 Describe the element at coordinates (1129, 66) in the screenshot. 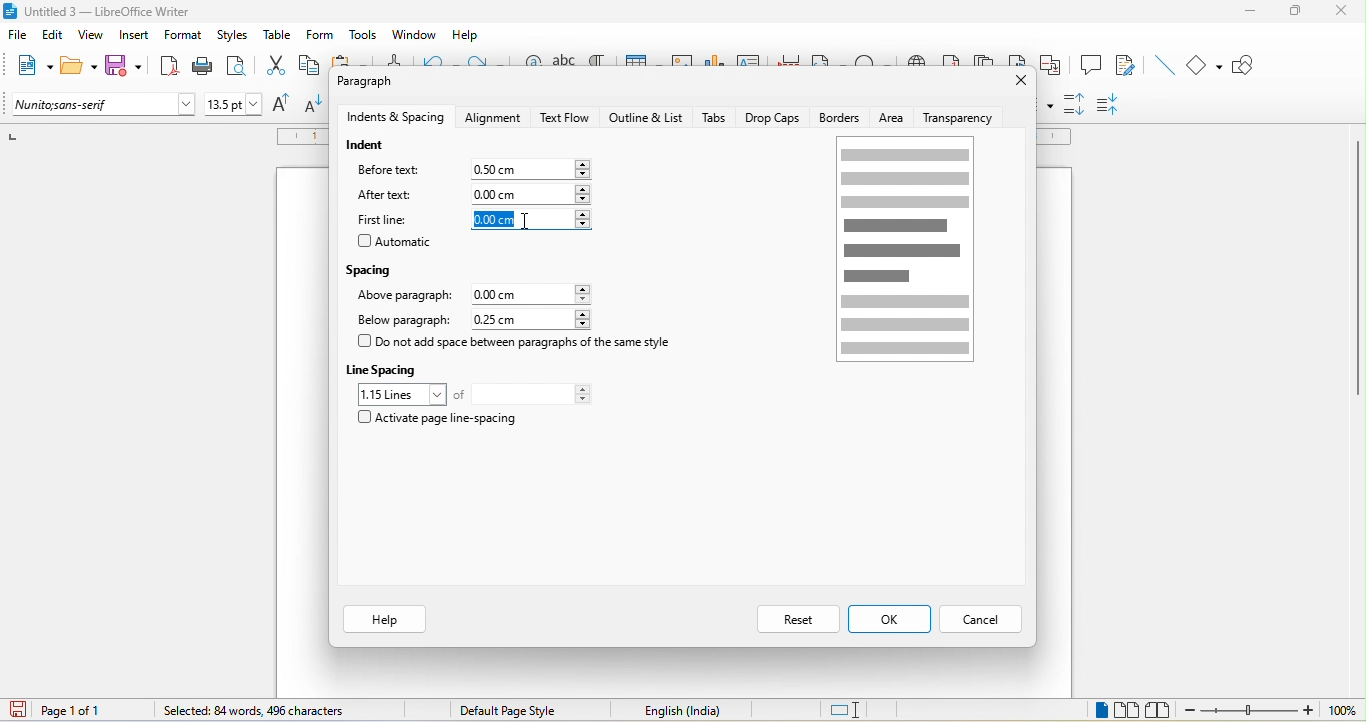

I see `show track changes function` at that location.